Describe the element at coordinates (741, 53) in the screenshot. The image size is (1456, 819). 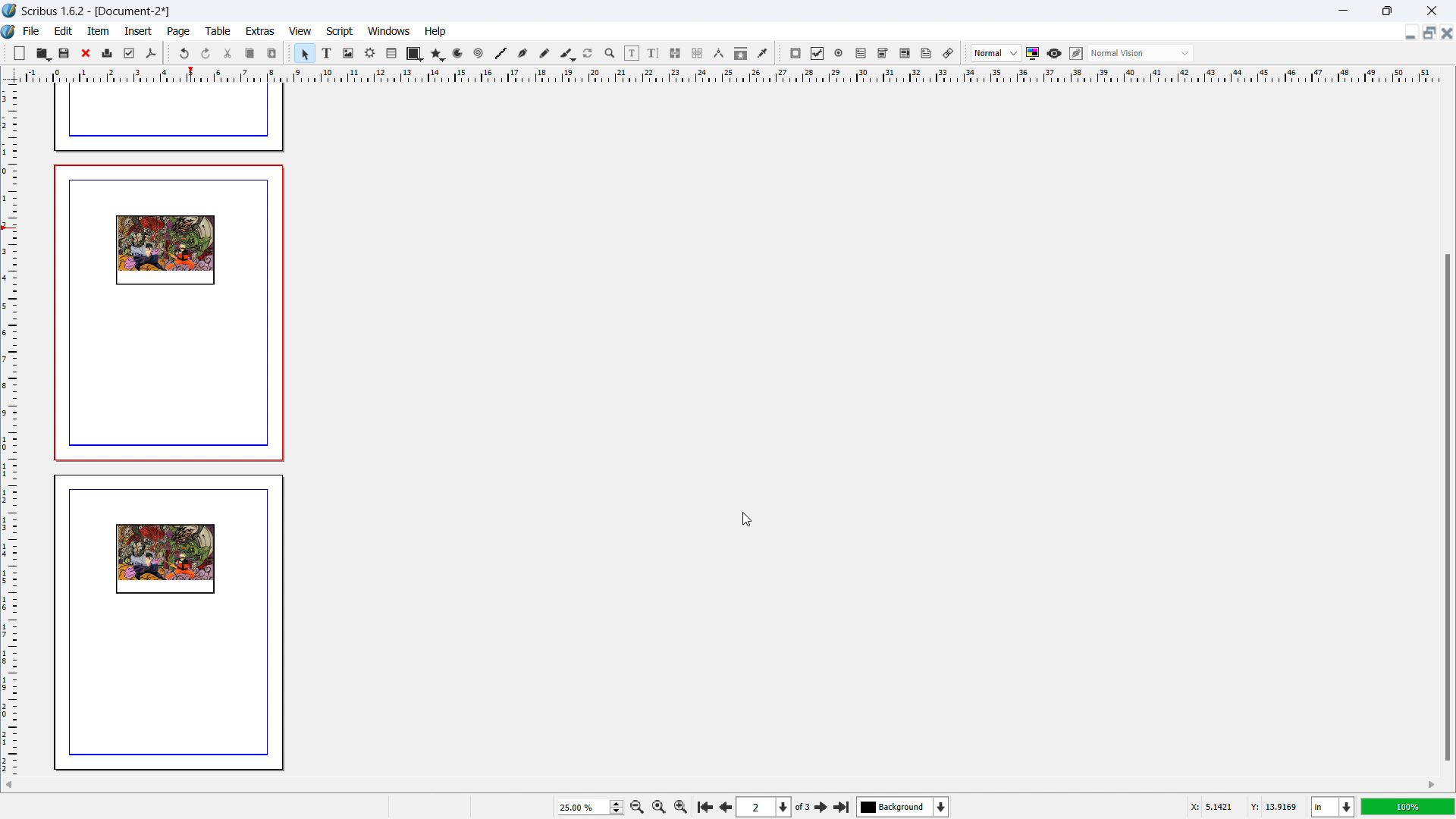
I see `copy item properties` at that location.